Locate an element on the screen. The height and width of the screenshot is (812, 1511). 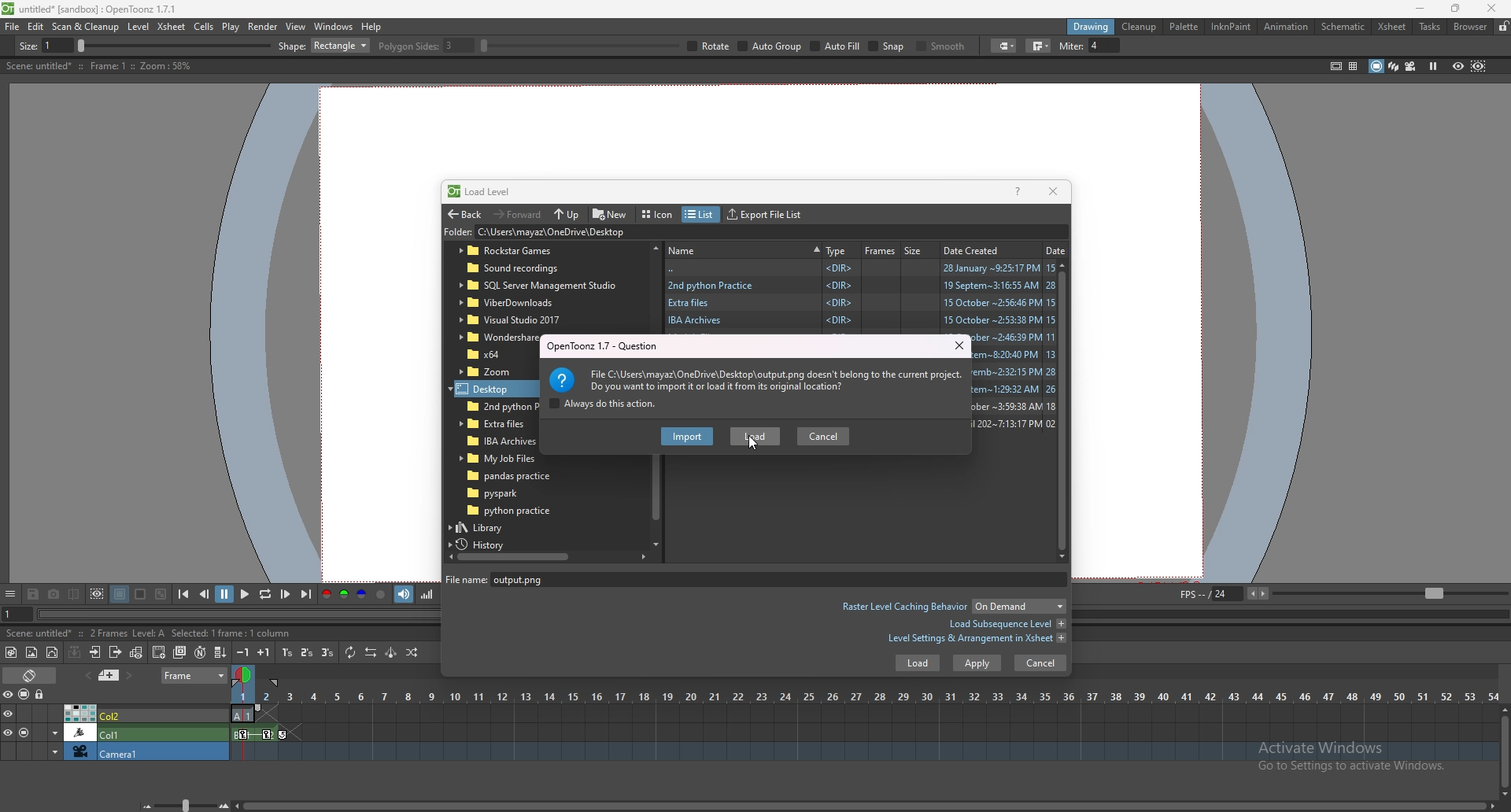
increase step is located at coordinates (264, 652).